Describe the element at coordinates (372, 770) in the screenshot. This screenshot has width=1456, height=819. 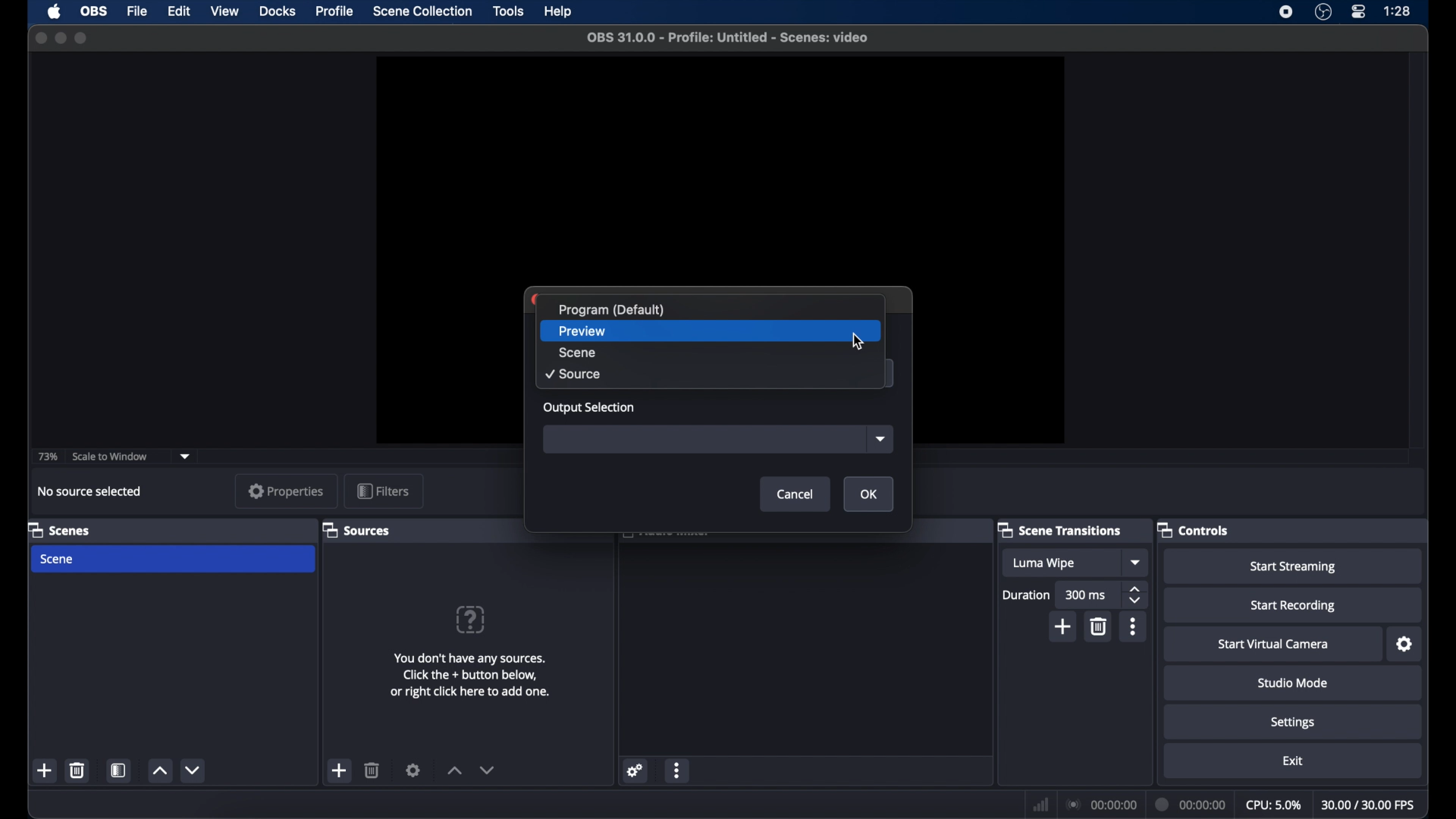
I see `delete` at that location.